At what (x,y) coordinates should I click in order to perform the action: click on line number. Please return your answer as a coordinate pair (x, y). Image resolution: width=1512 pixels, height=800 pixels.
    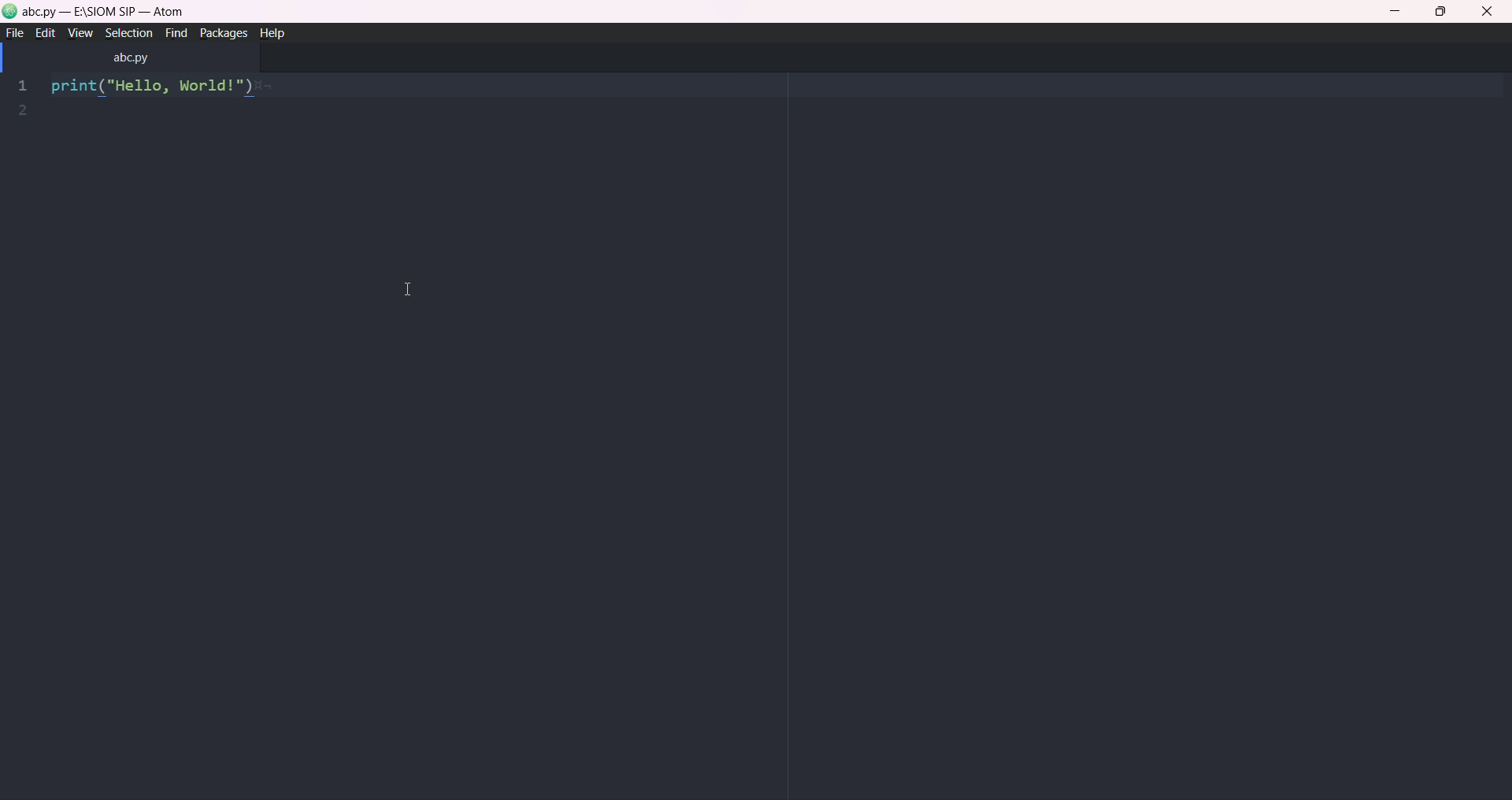
    Looking at the image, I should click on (22, 98).